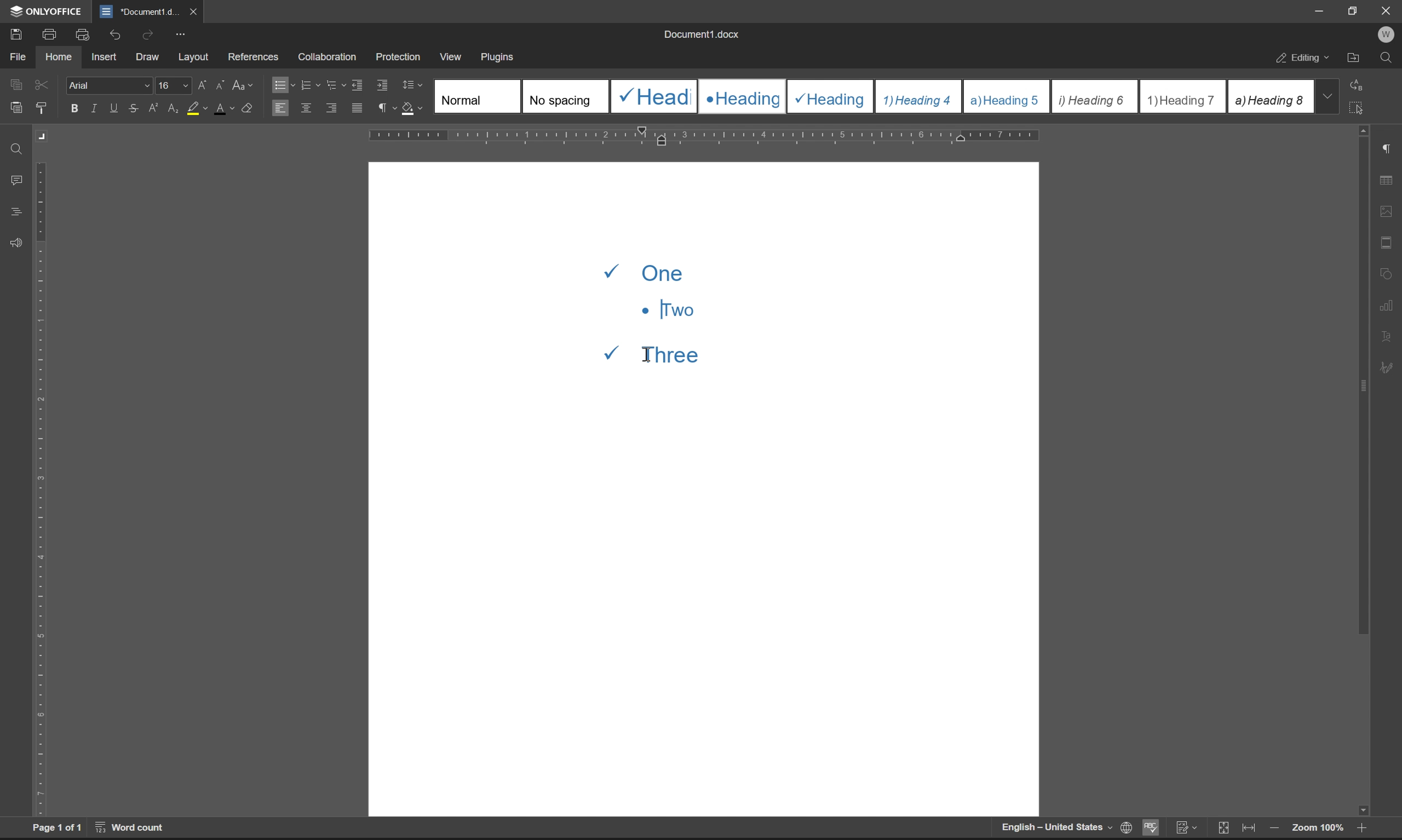 The image size is (1402, 840). Describe the element at coordinates (831, 97) in the screenshot. I see `Heading 3` at that location.